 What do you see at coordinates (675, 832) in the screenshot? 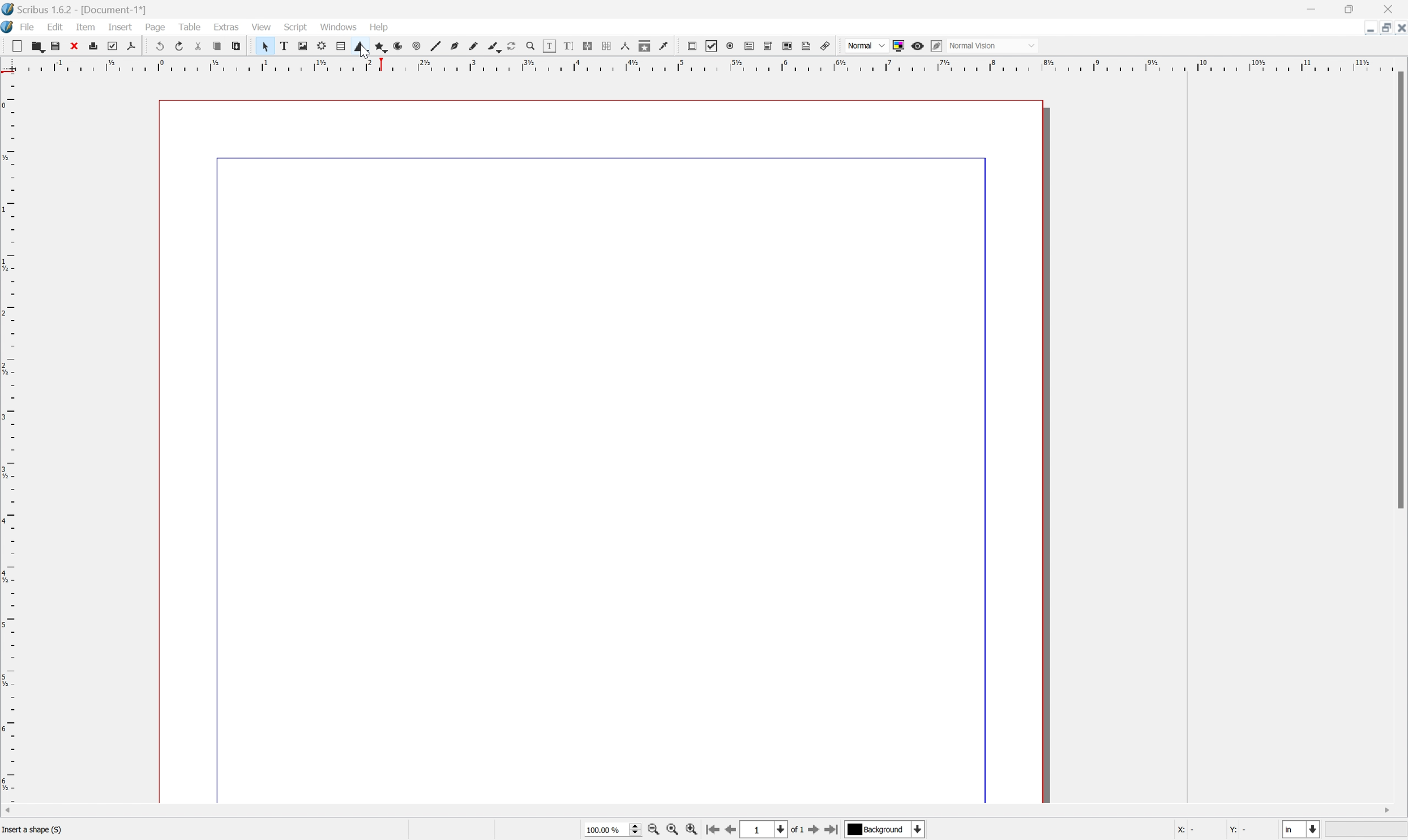
I see `Zoom to 100%` at bounding box center [675, 832].